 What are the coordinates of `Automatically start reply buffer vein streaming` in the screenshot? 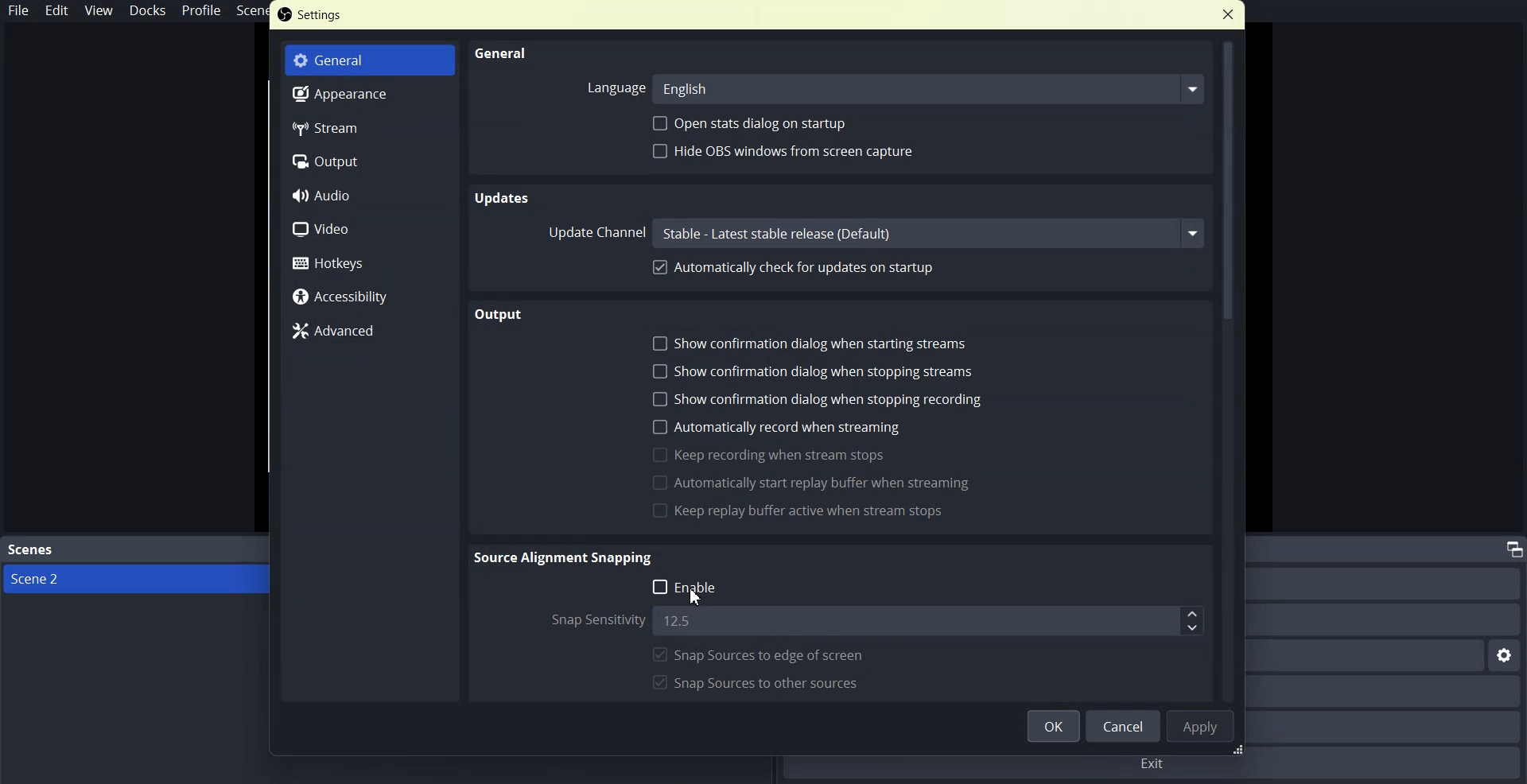 It's located at (811, 483).